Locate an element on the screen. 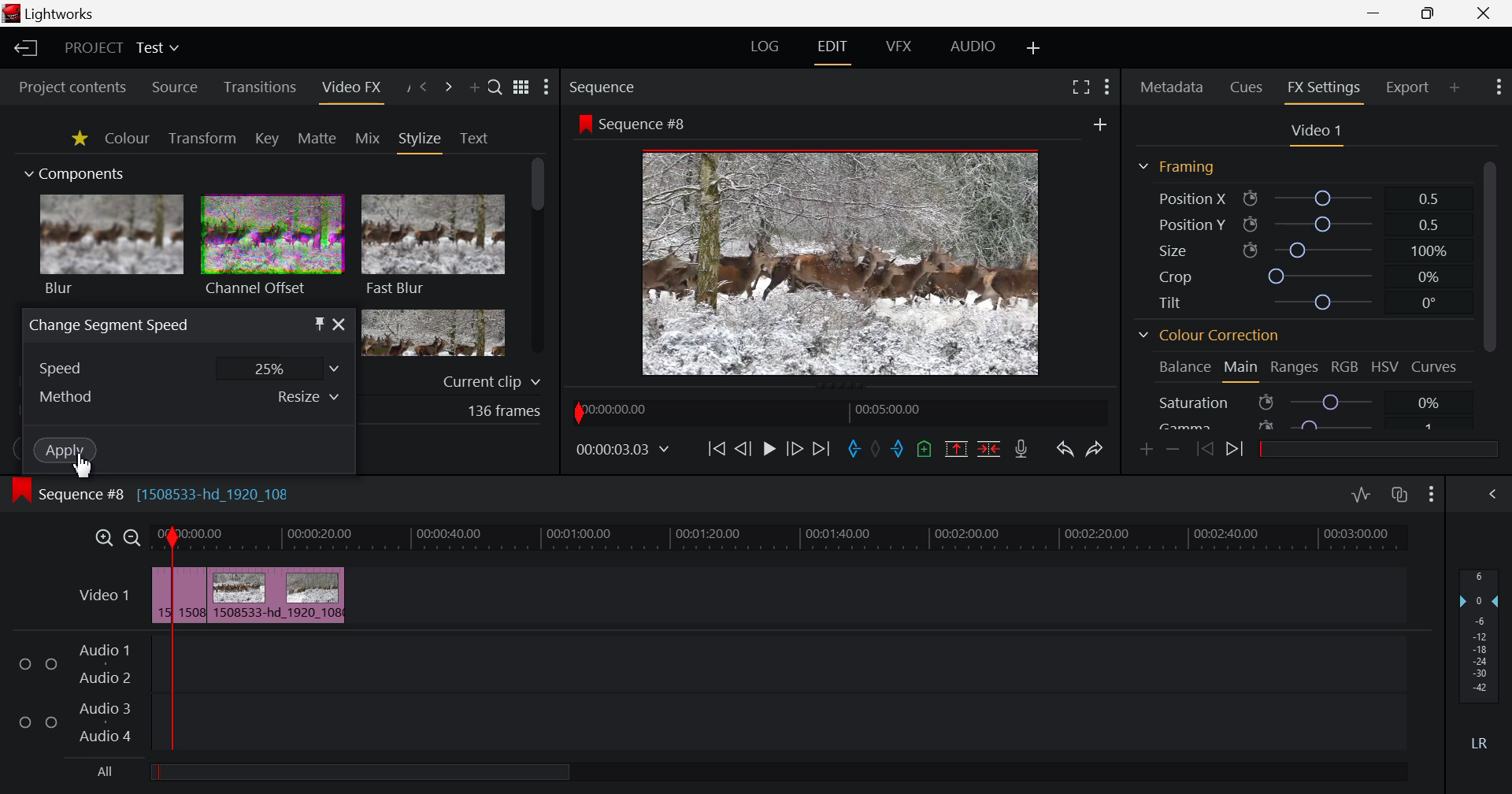 This screenshot has width=1512, height=794. Colour is located at coordinates (128, 138).